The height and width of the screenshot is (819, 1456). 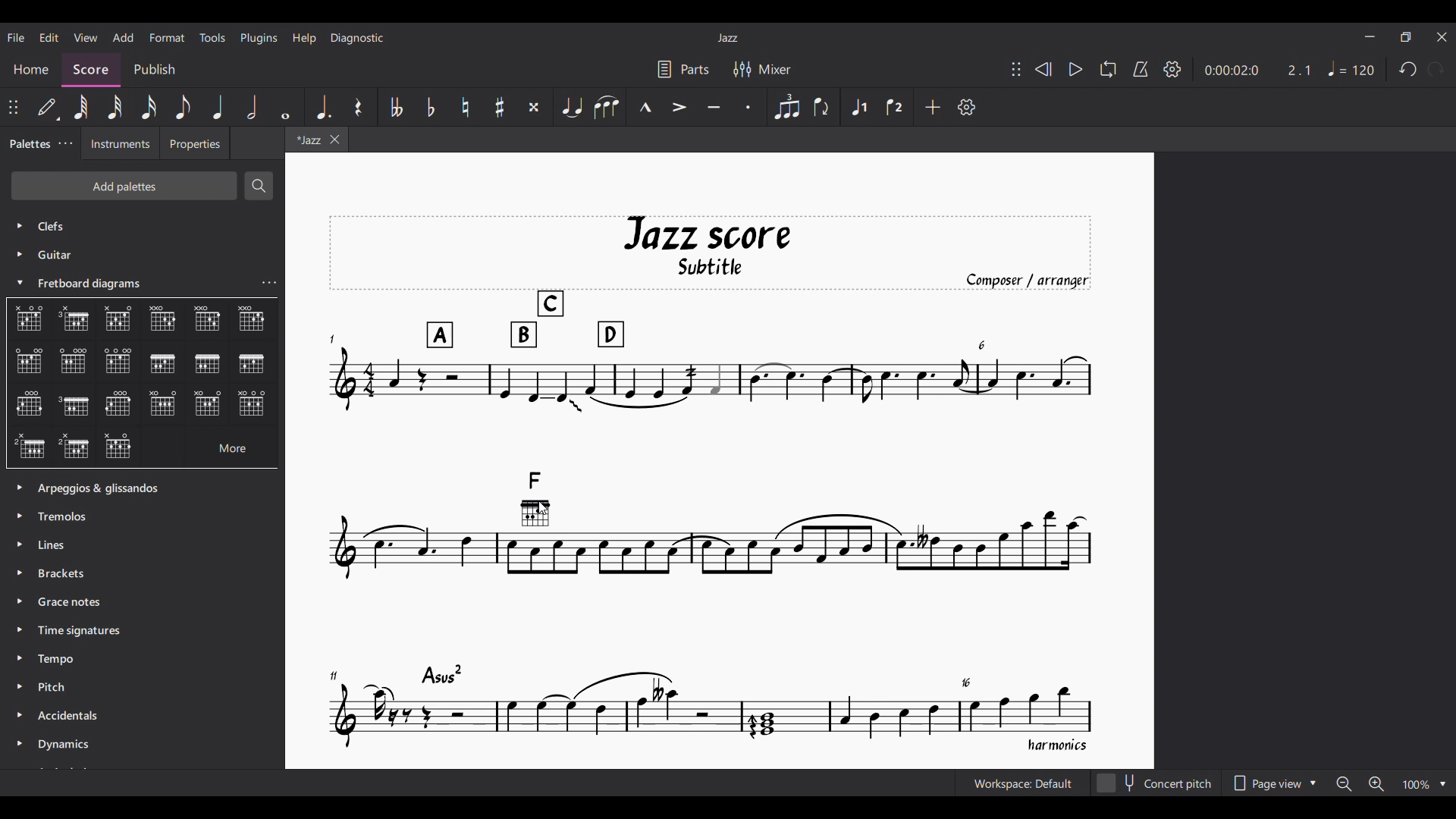 What do you see at coordinates (80, 106) in the screenshot?
I see `64th note` at bounding box center [80, 106].